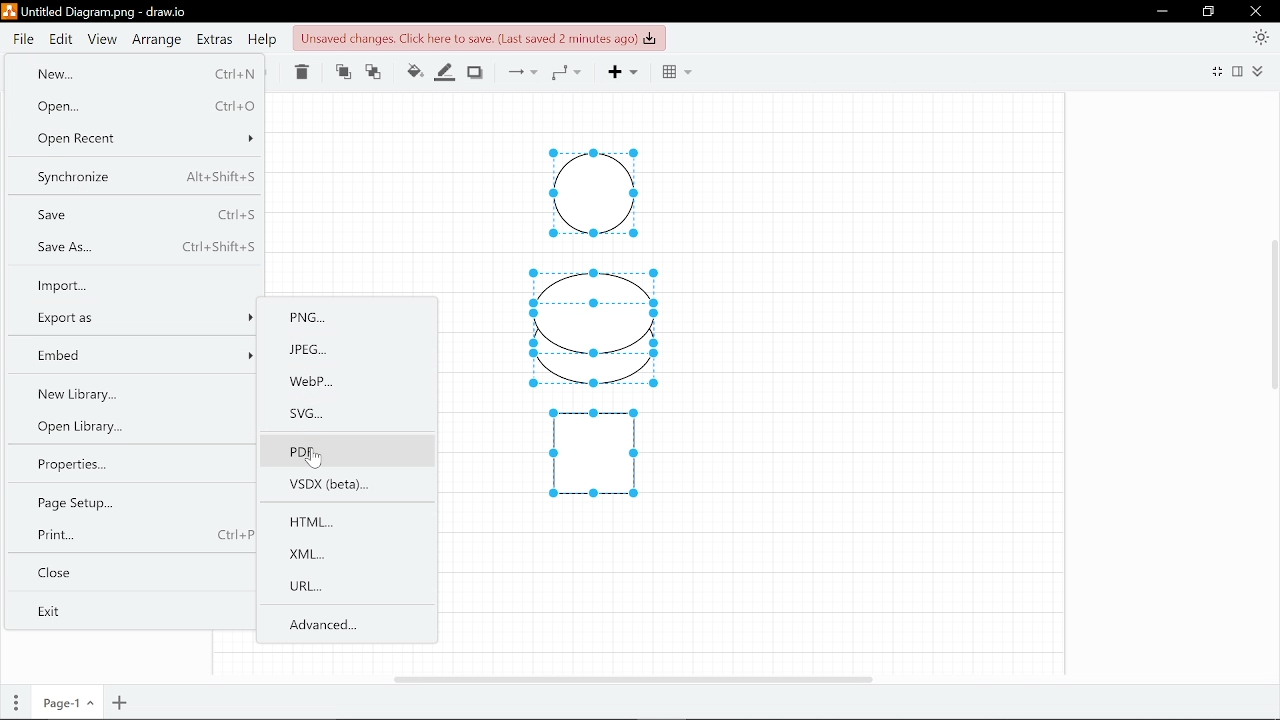  Describe the element at coordinates (1207, 12) in the screenshot. I see `Restore down` at that location.